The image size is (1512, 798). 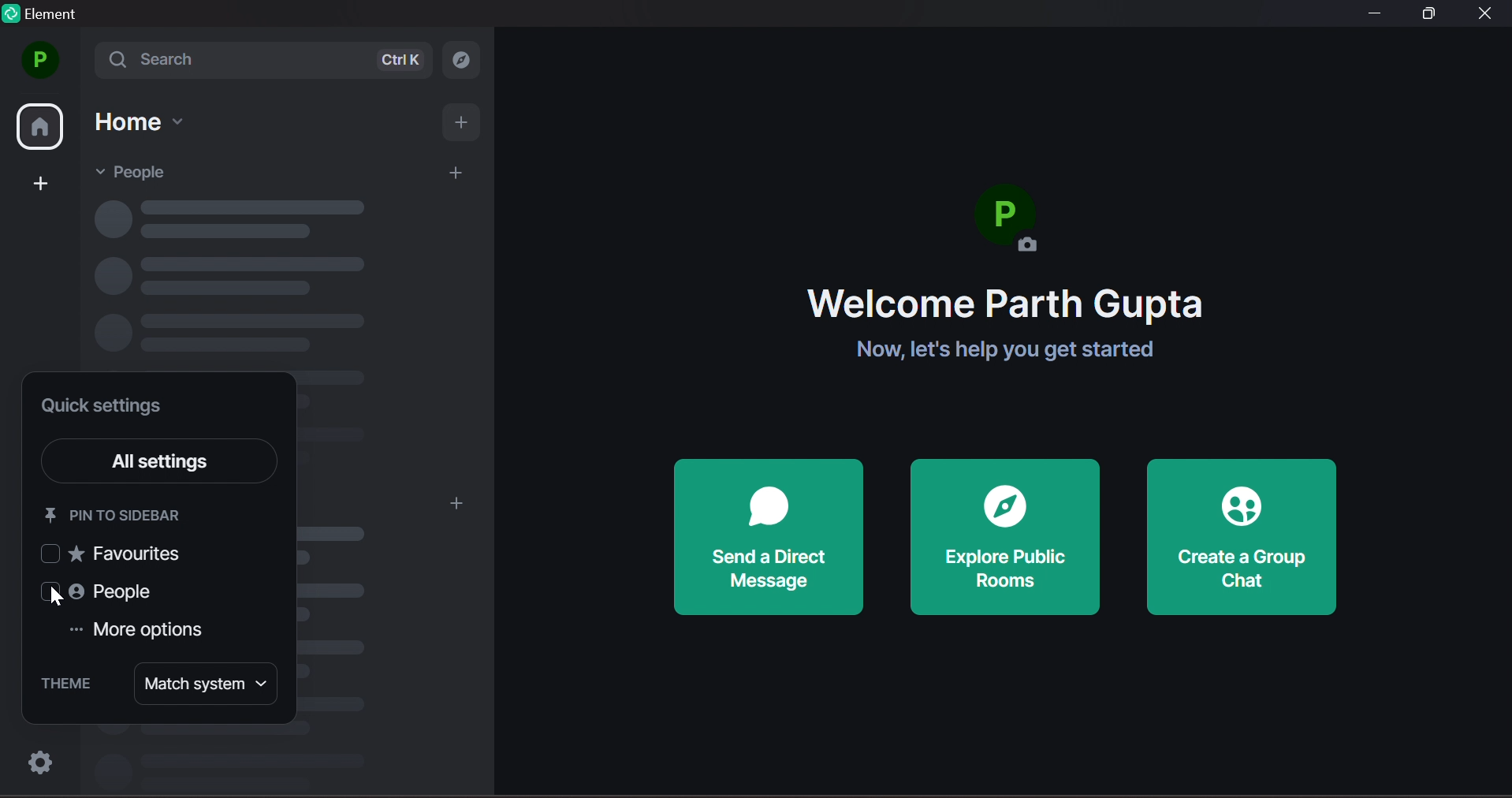 What do you see at coordinates (83, 64) in the screenshot?
I see `expand` at bounding box center [83, 64].